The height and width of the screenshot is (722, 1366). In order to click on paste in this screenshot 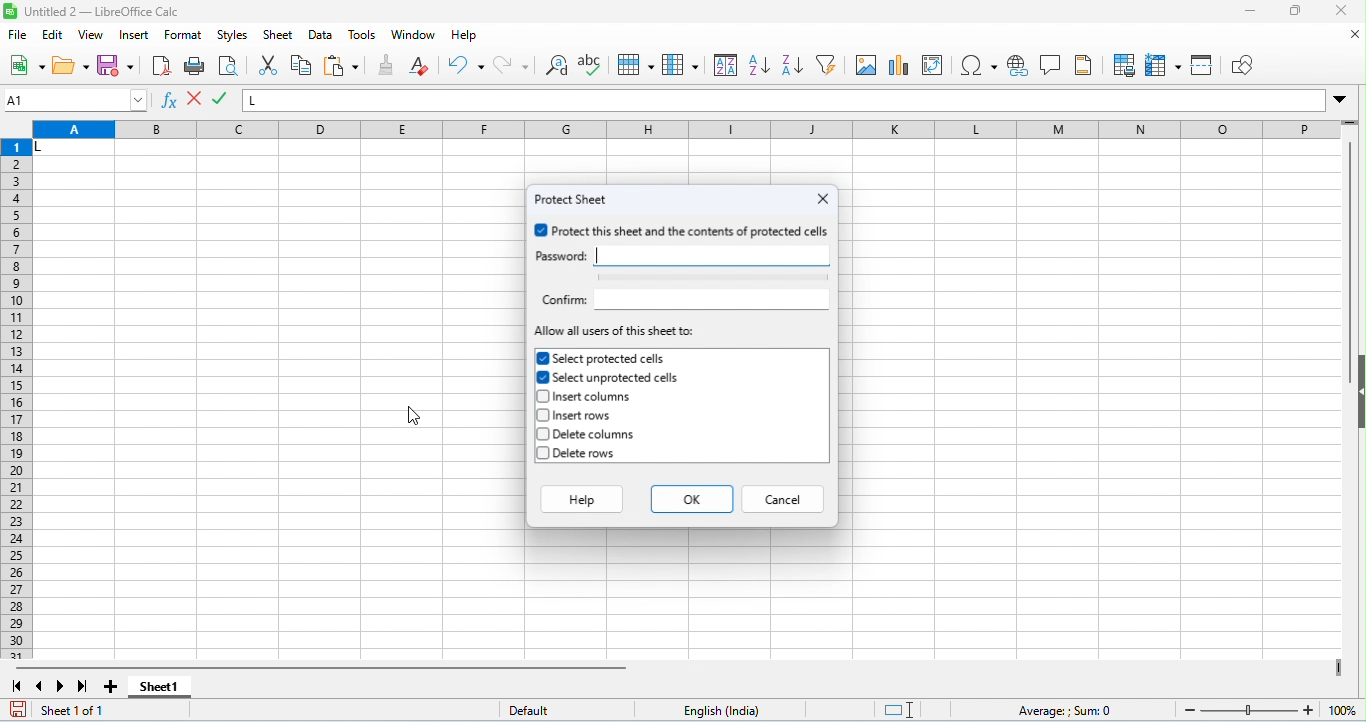, I will do `click(342, 67)`.